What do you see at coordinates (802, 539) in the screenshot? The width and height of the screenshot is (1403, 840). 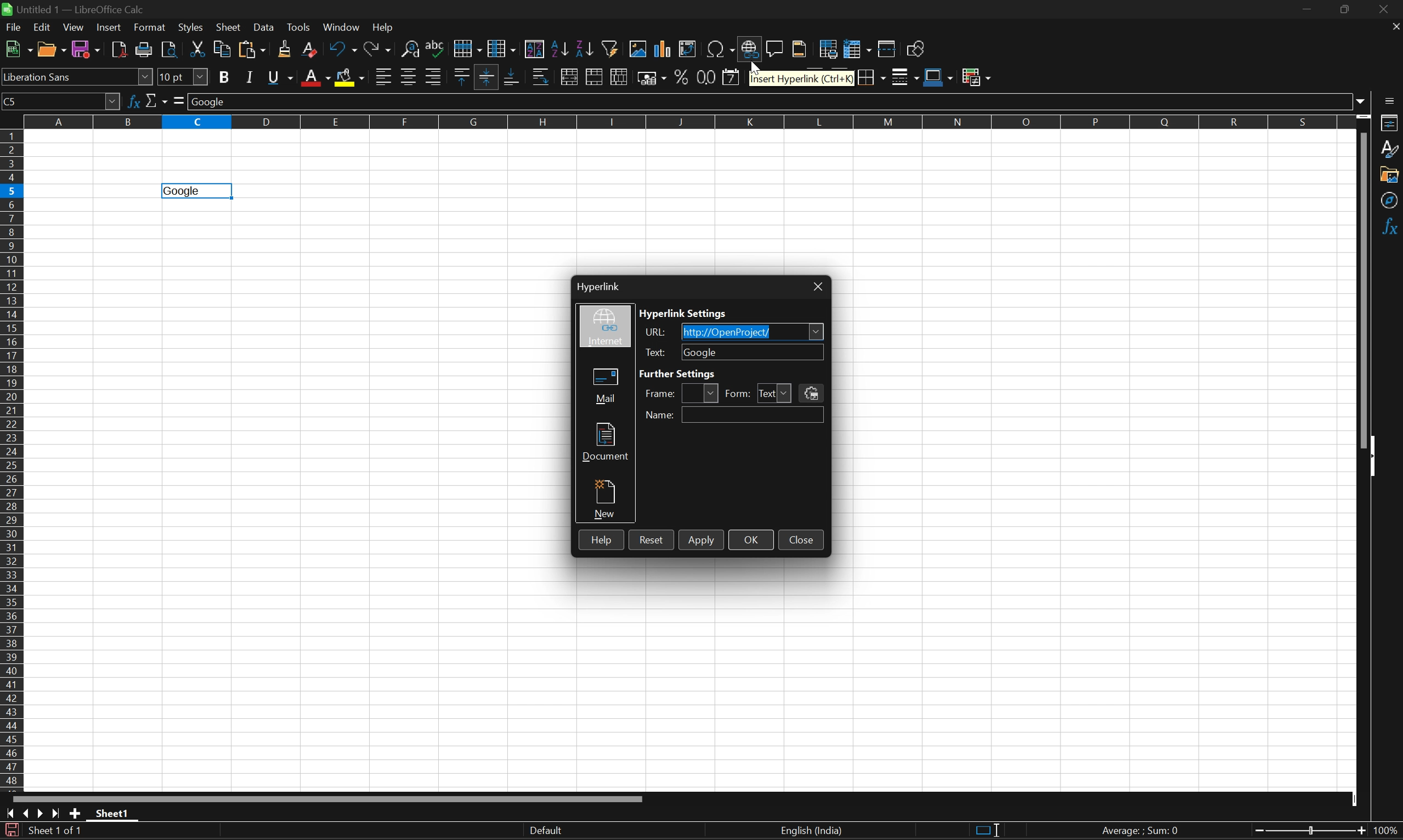 I see `Close` at bounding box center [802, 539].